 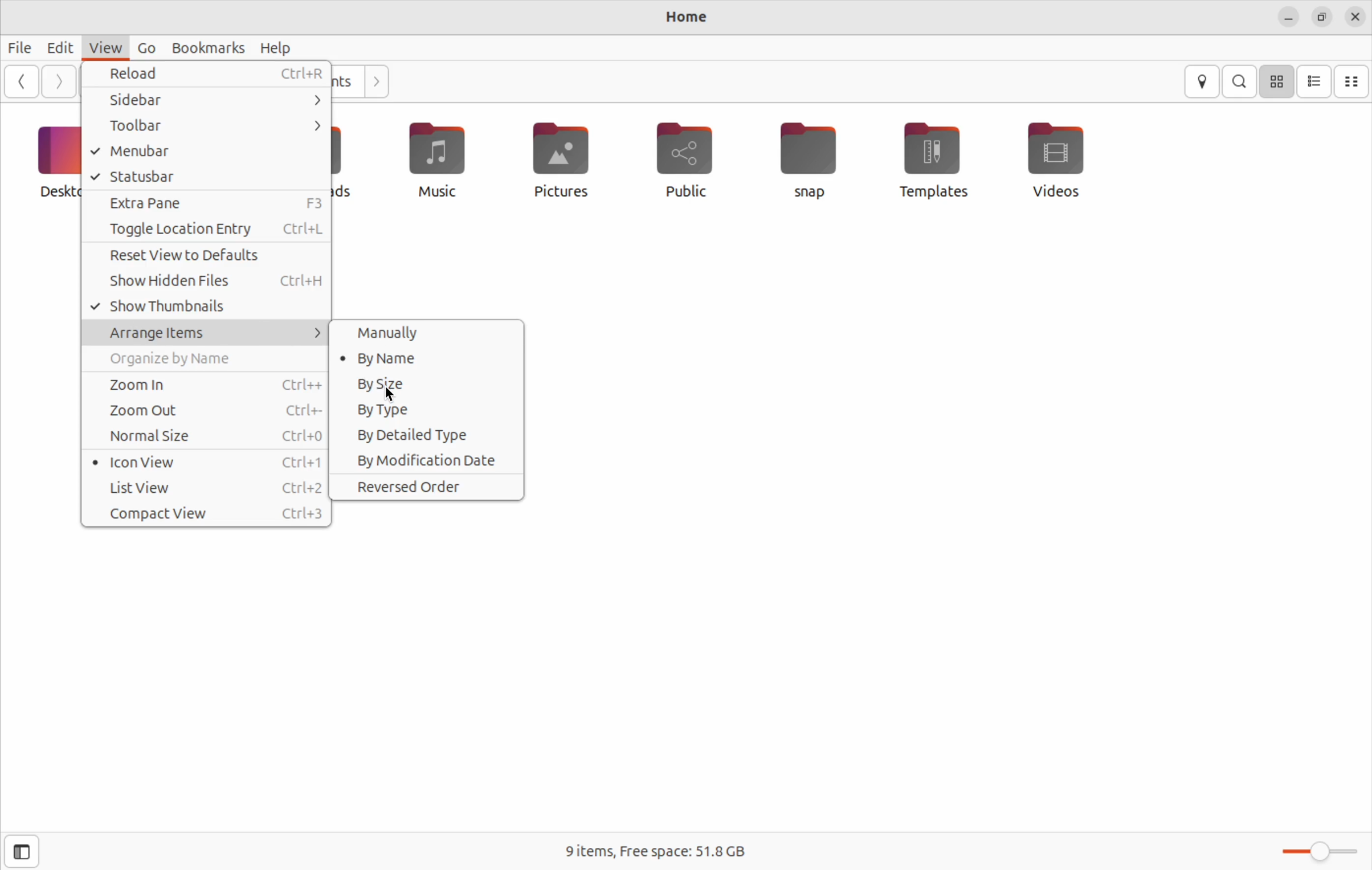 What do you see at coordinates (206, 256) in the screenshot?
I see `reset view to defaluts` at bounding box center [206, 256].